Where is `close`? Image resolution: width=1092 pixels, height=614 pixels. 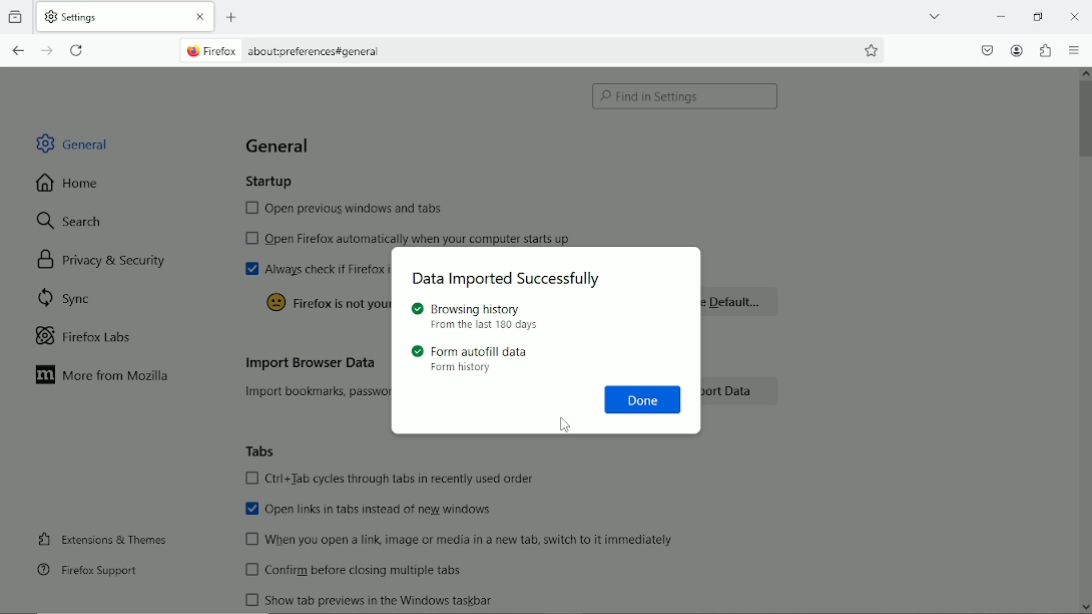 close is located at coordinates (1076, 15).